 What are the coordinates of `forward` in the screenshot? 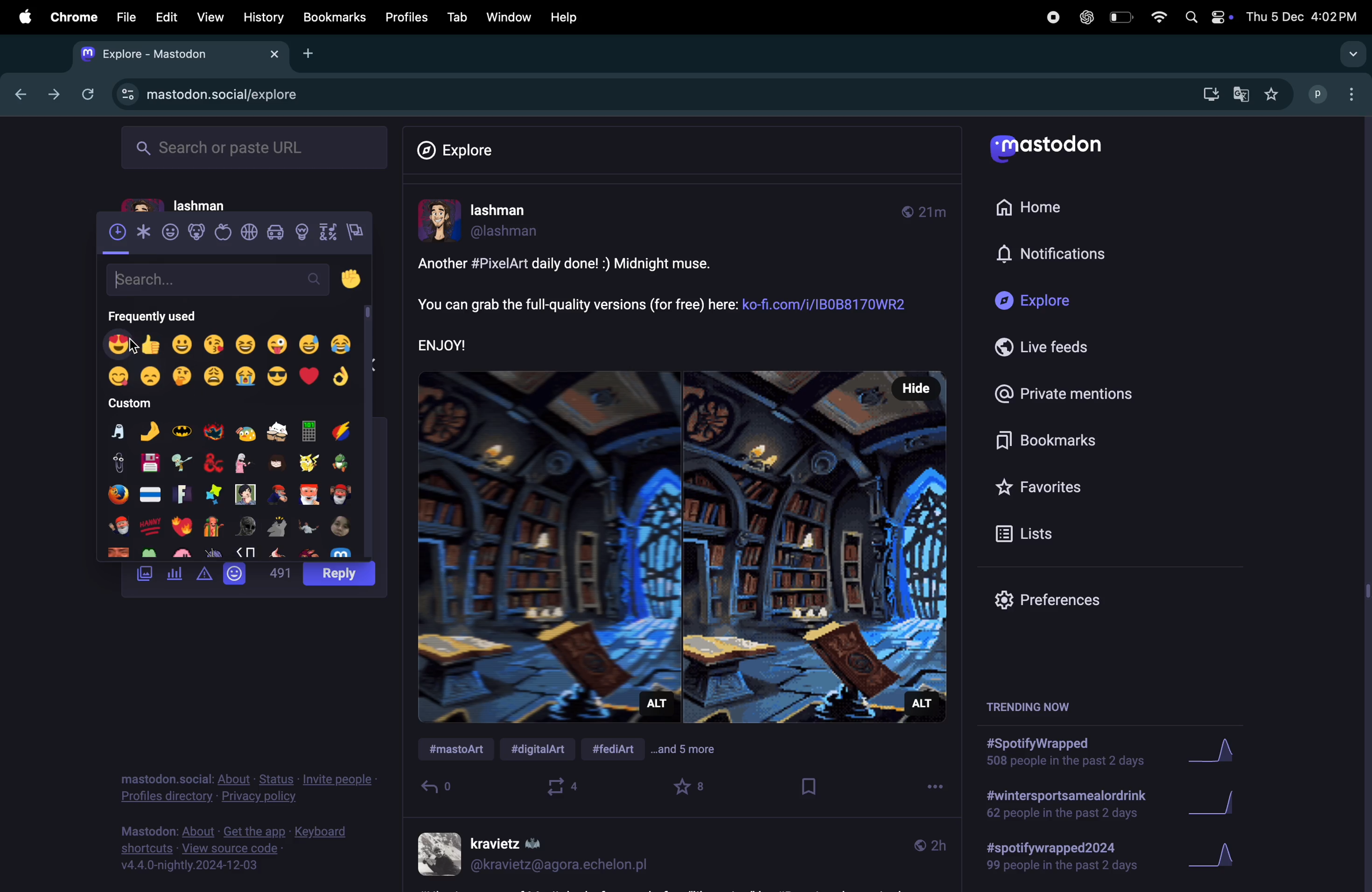 It's located at (52, 95).